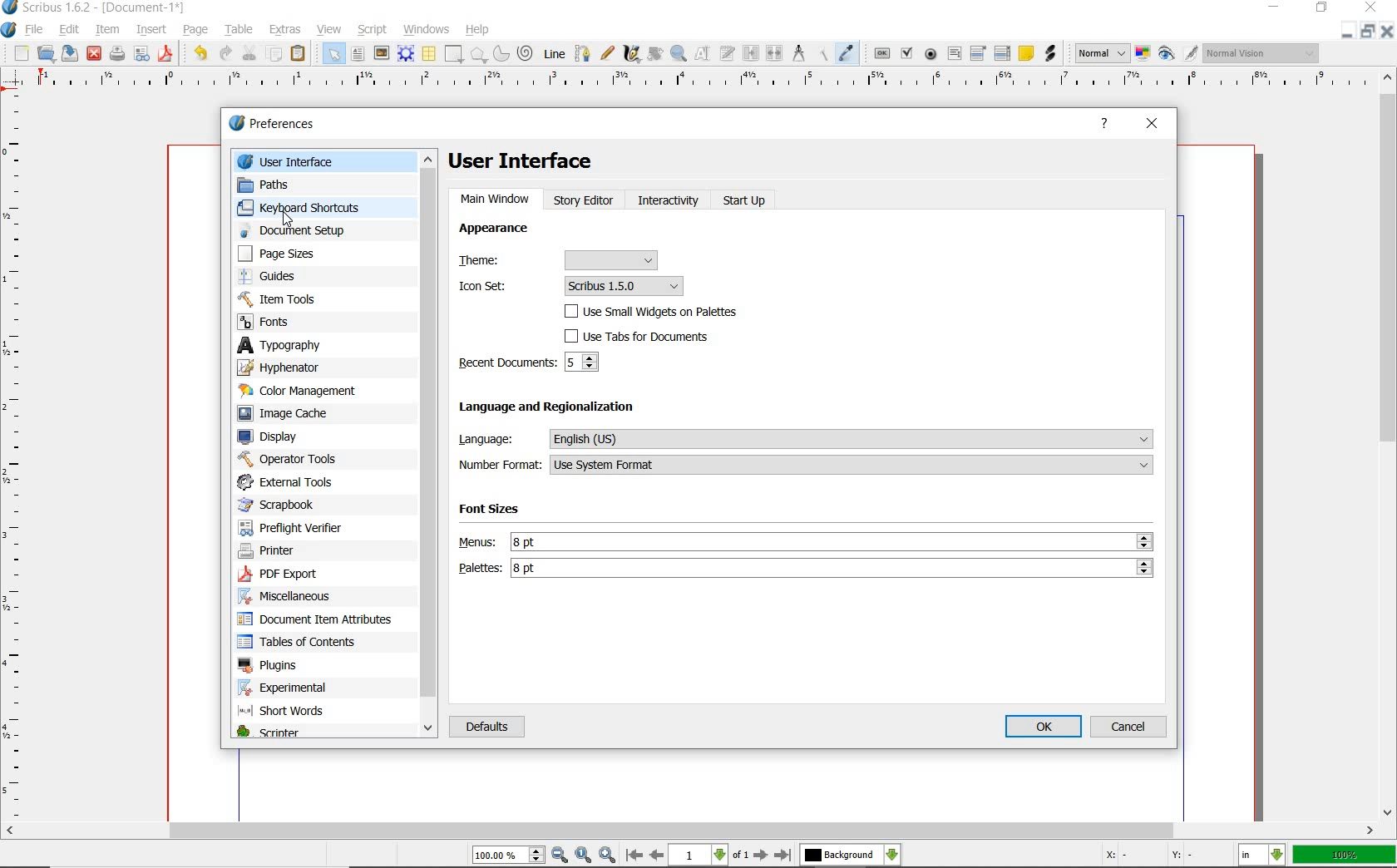 The height and width of the screenshot is (868, 1397). What do you see at coordinates (288, 459) in the screenshot?
I see `operator tools` at bounding box center [288, 459].